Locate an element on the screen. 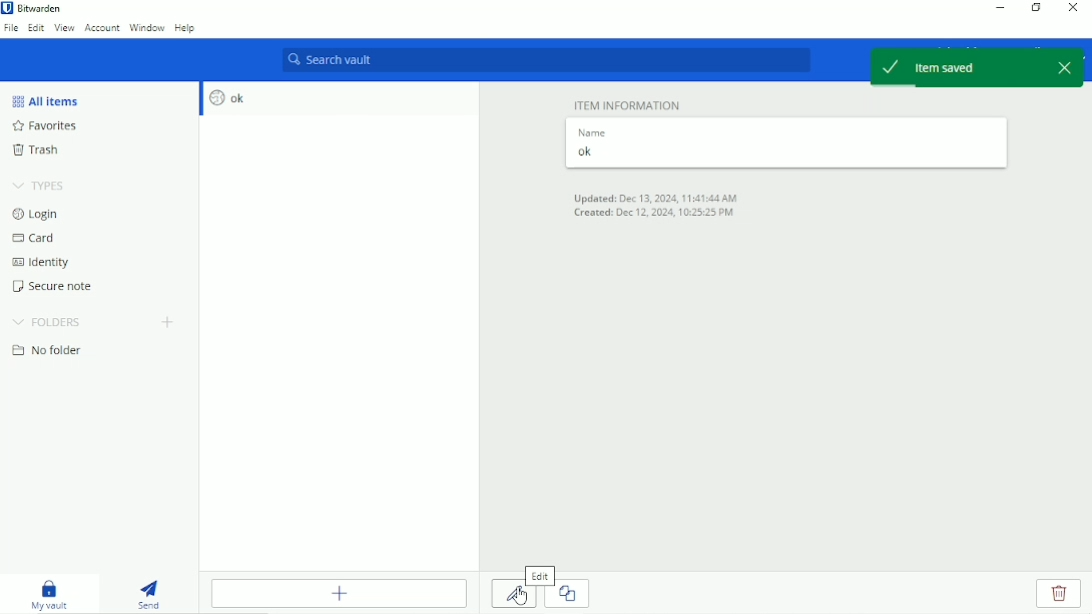 The height and width of the screenshot is (614, 1092). Folders is located at coordinates (45, 321).